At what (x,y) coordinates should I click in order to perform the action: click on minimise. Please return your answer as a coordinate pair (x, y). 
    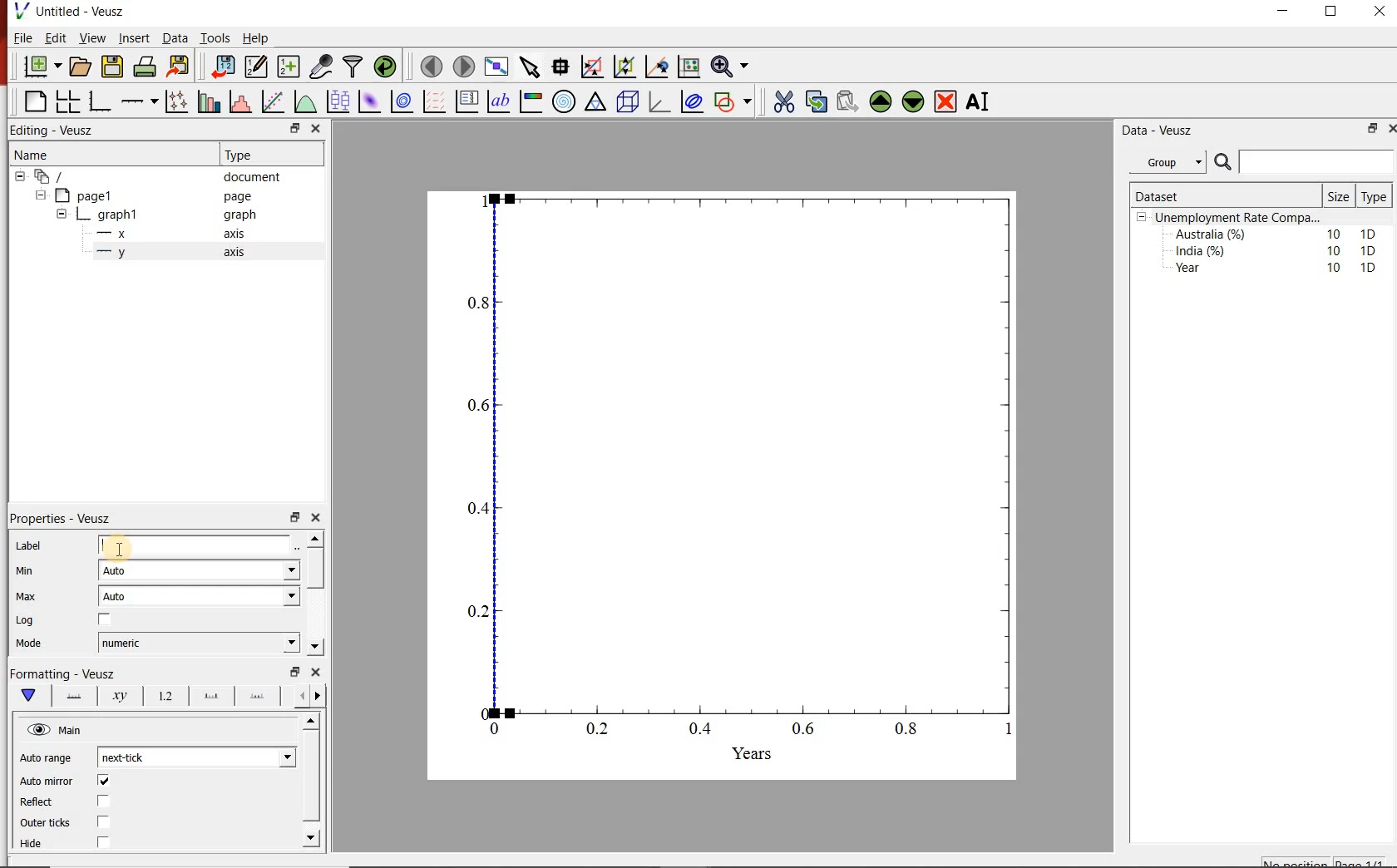
    Looking at the image, I should click on (295, 670).